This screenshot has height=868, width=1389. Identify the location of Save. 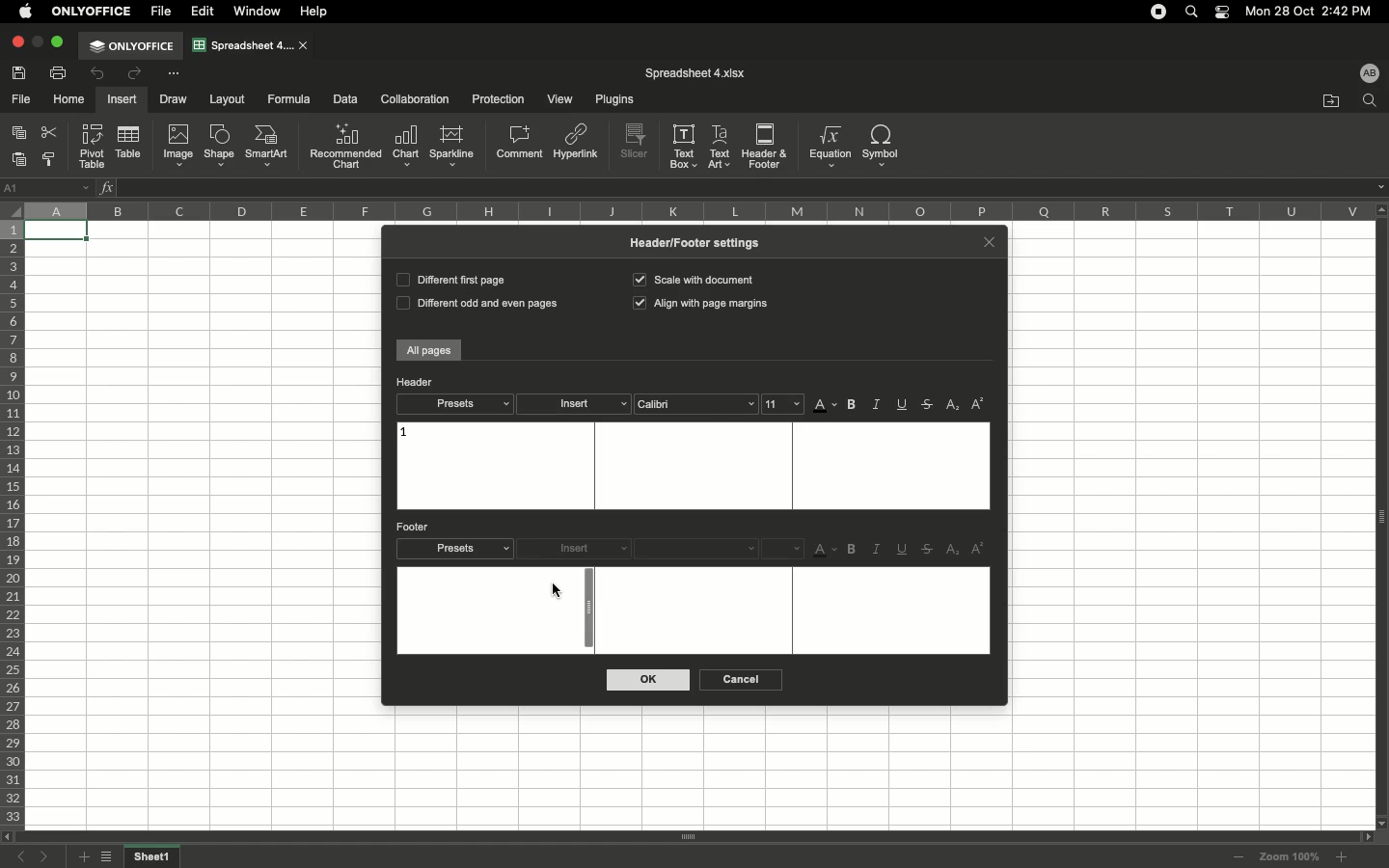
(22, 72).